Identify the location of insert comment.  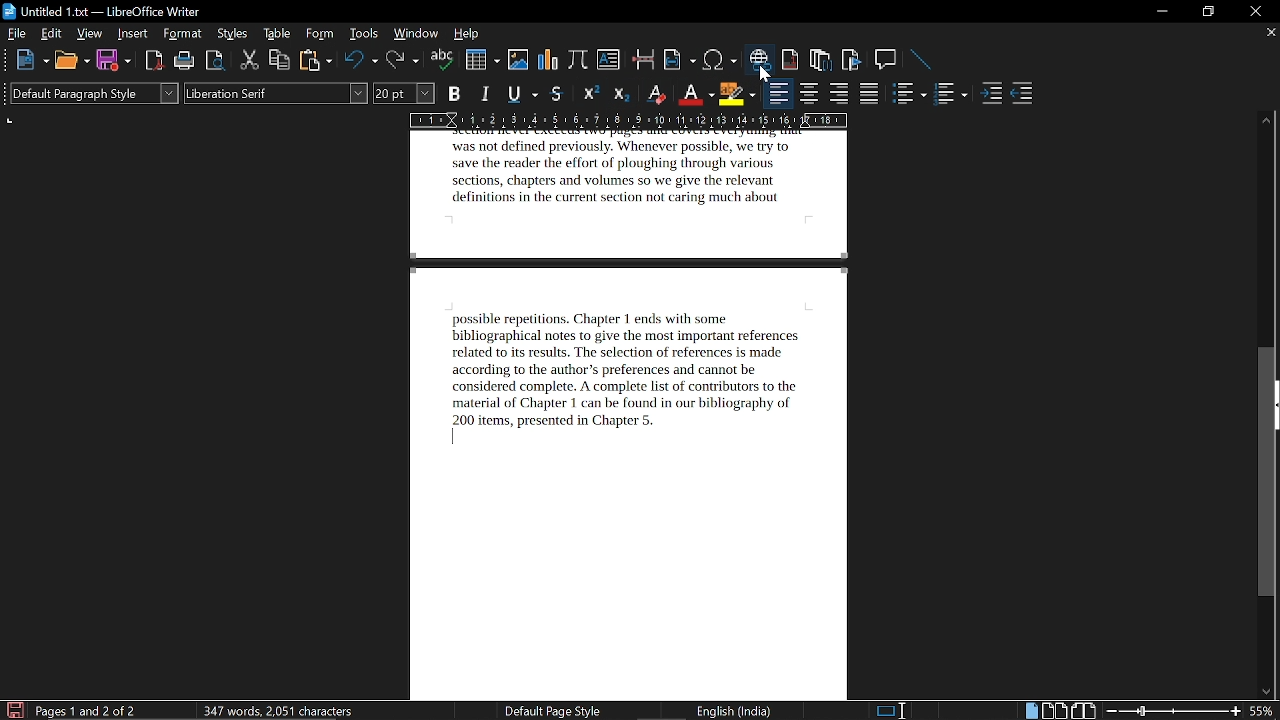
(887, 60).